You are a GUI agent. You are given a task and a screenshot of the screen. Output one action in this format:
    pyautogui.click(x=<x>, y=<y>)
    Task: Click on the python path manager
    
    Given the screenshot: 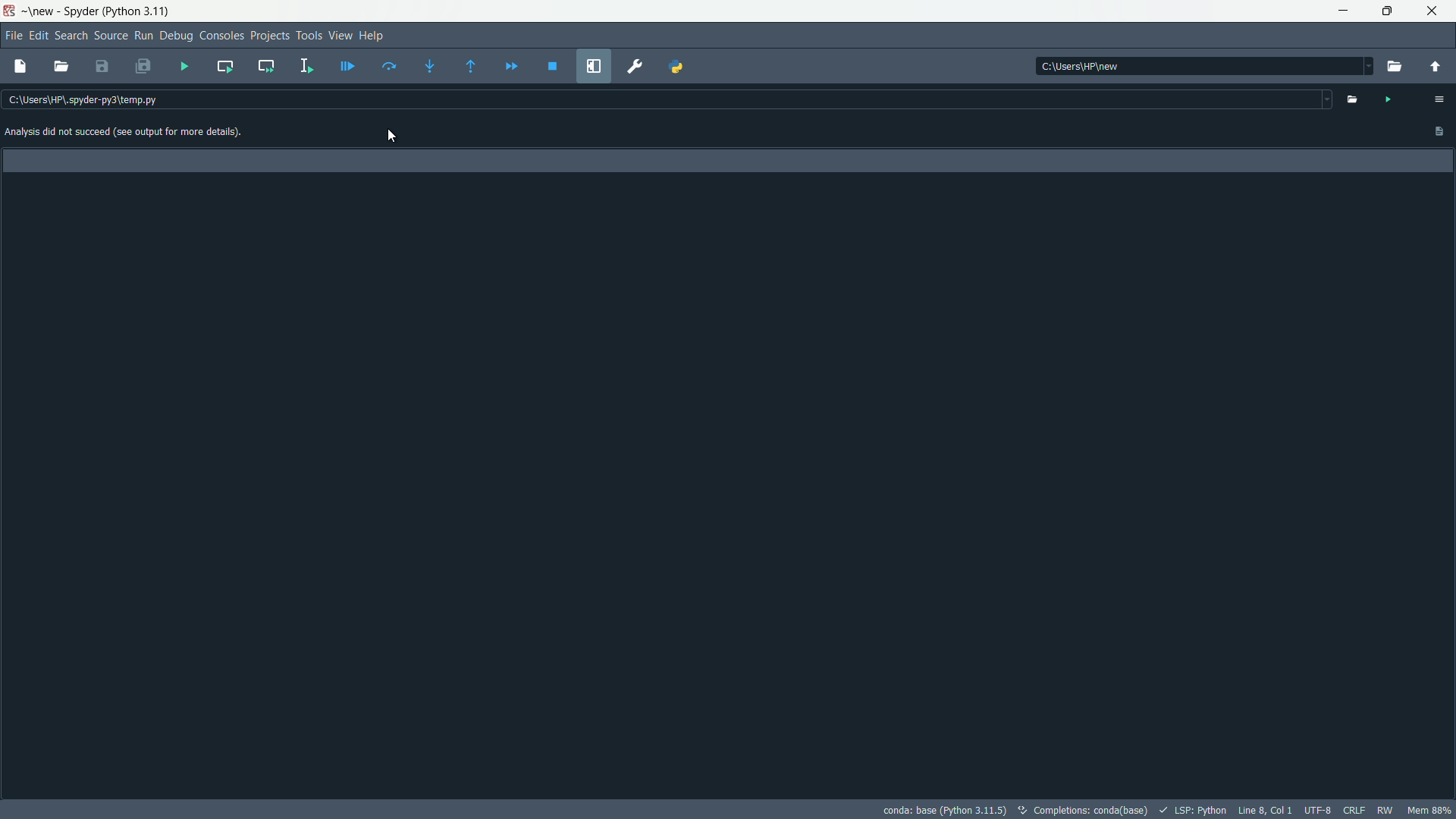 What is the action you would take?
    pyautogui.click(x=676, y=67)
    